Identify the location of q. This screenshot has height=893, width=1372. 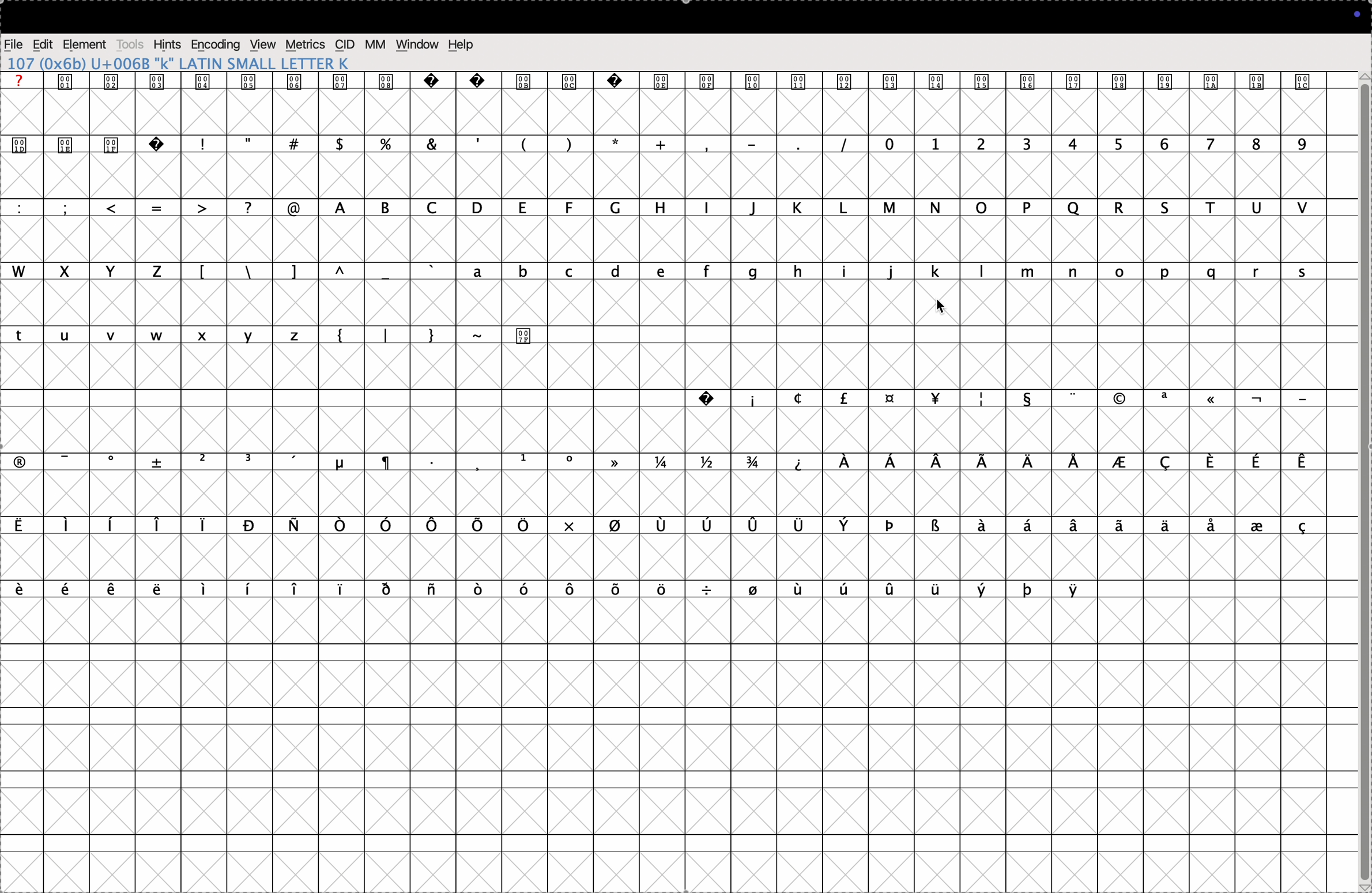
(1213, 272).